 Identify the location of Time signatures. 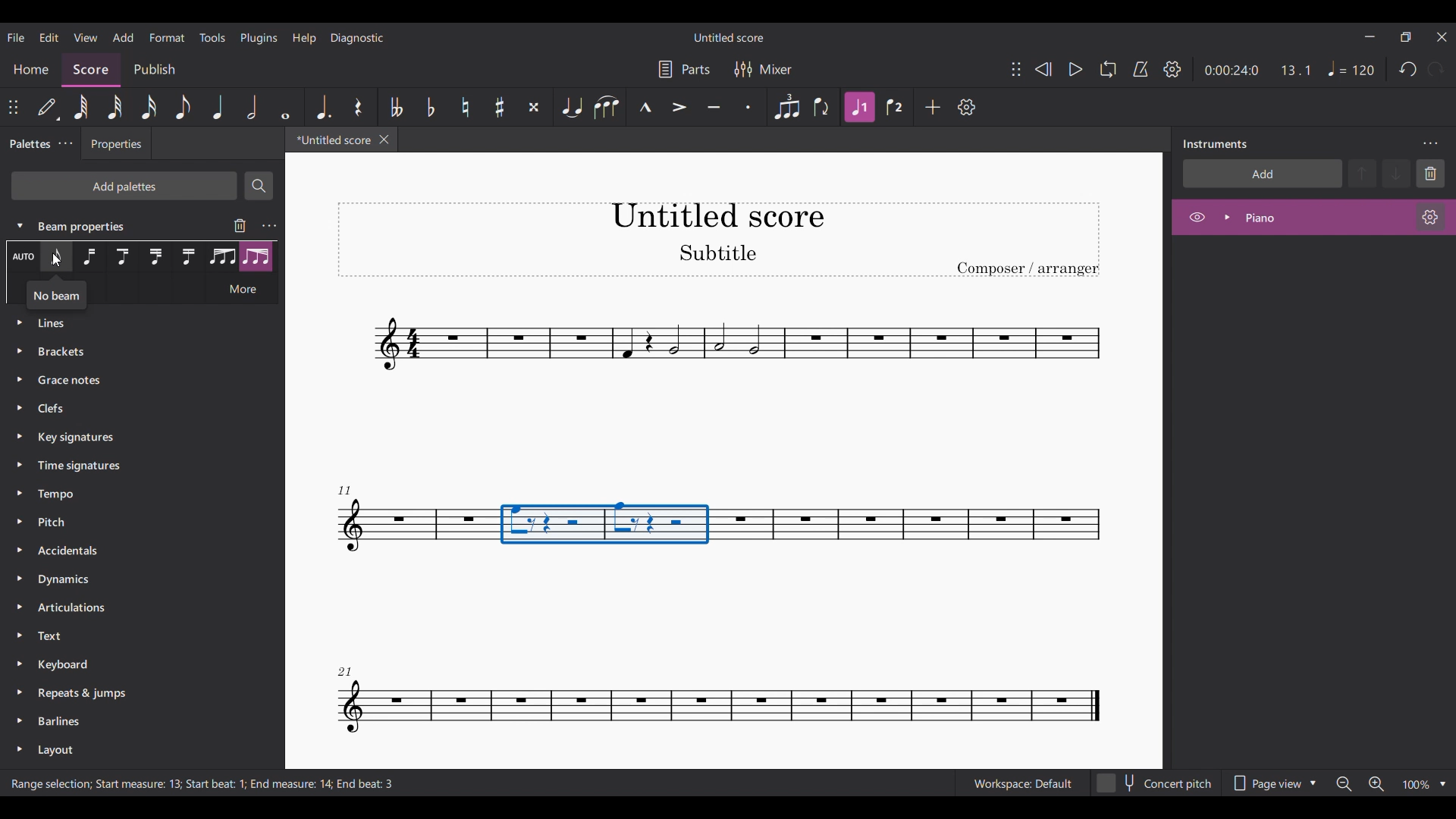
(136, 467).